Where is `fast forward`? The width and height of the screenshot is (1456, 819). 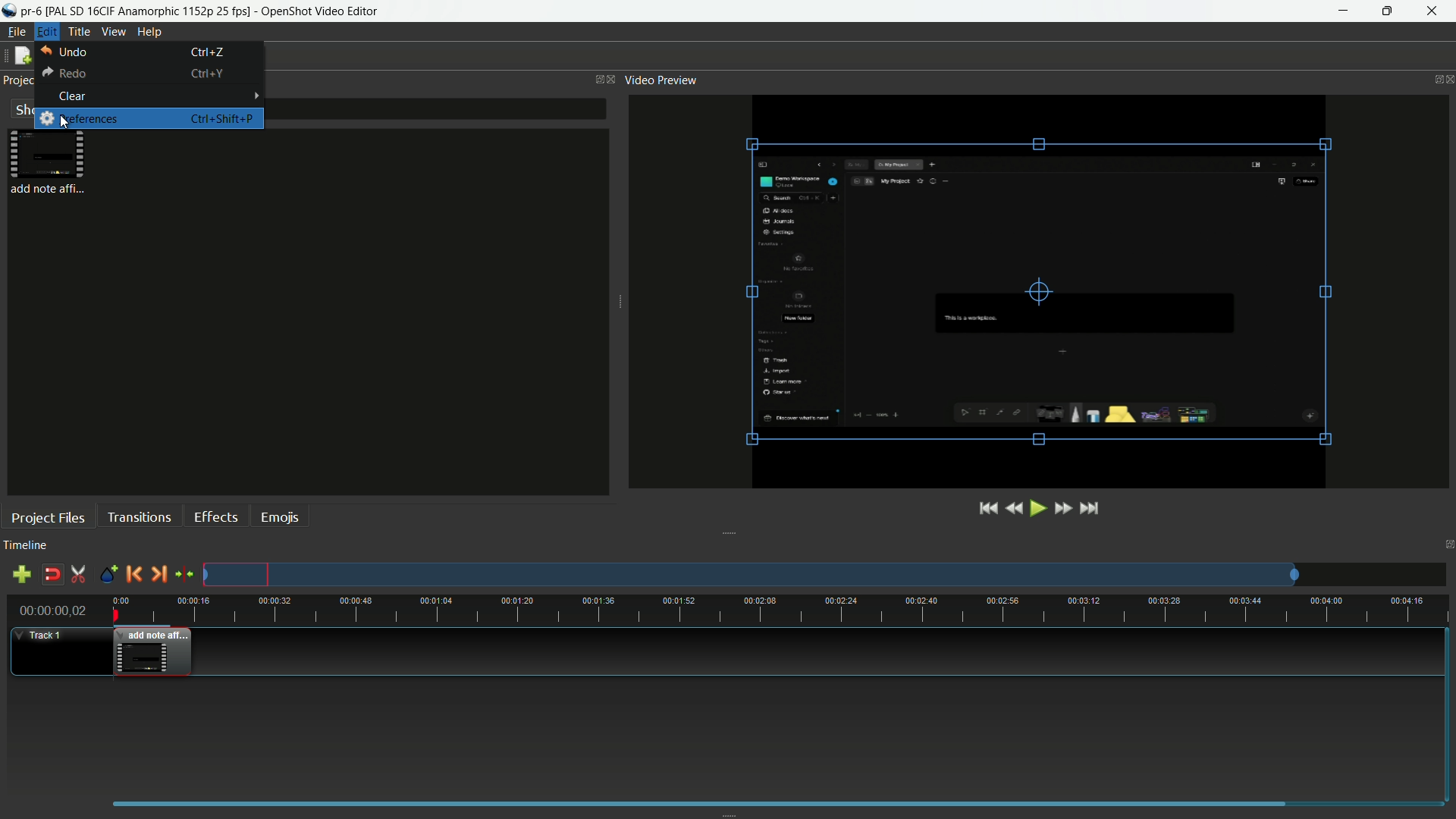
fast forward is located at coordinates (1062, 508).